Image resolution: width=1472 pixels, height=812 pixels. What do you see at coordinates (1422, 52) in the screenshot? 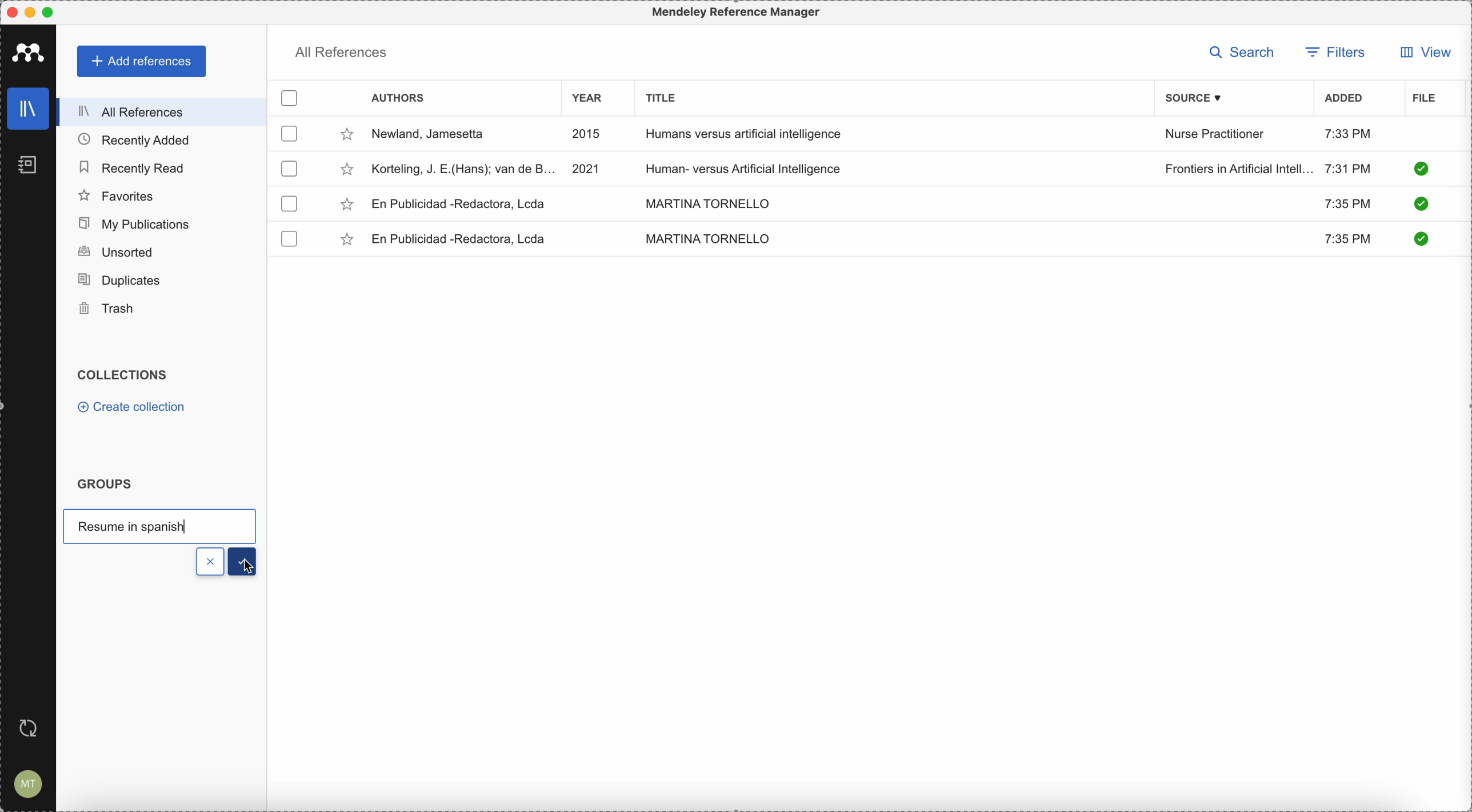
I see `view` at bounding box center [1422, 52].